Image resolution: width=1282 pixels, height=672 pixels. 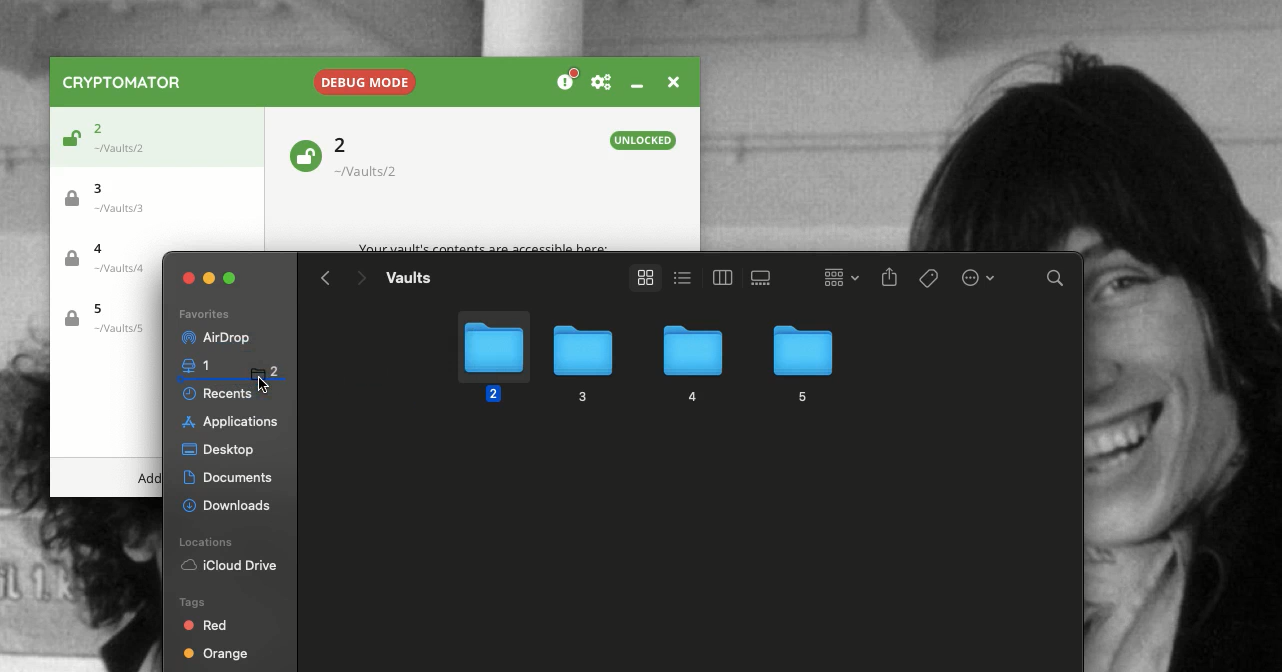 I want to click on Vault 2, so click(x=126, y=134).